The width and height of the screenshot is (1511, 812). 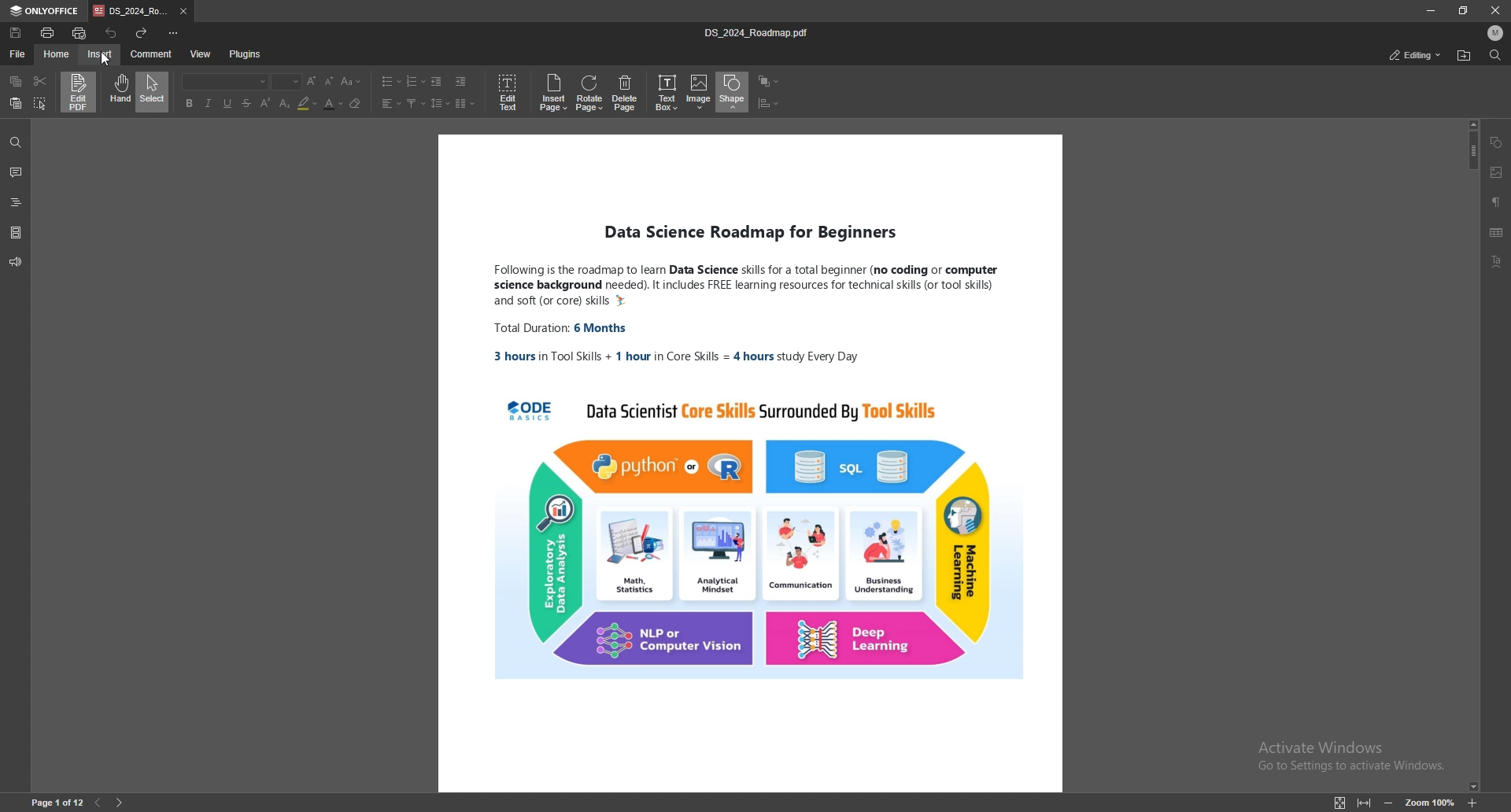 What do you see at coordinates (1497, 172) in the screenshot?
I see `image` at bounding box center [1497, 172].